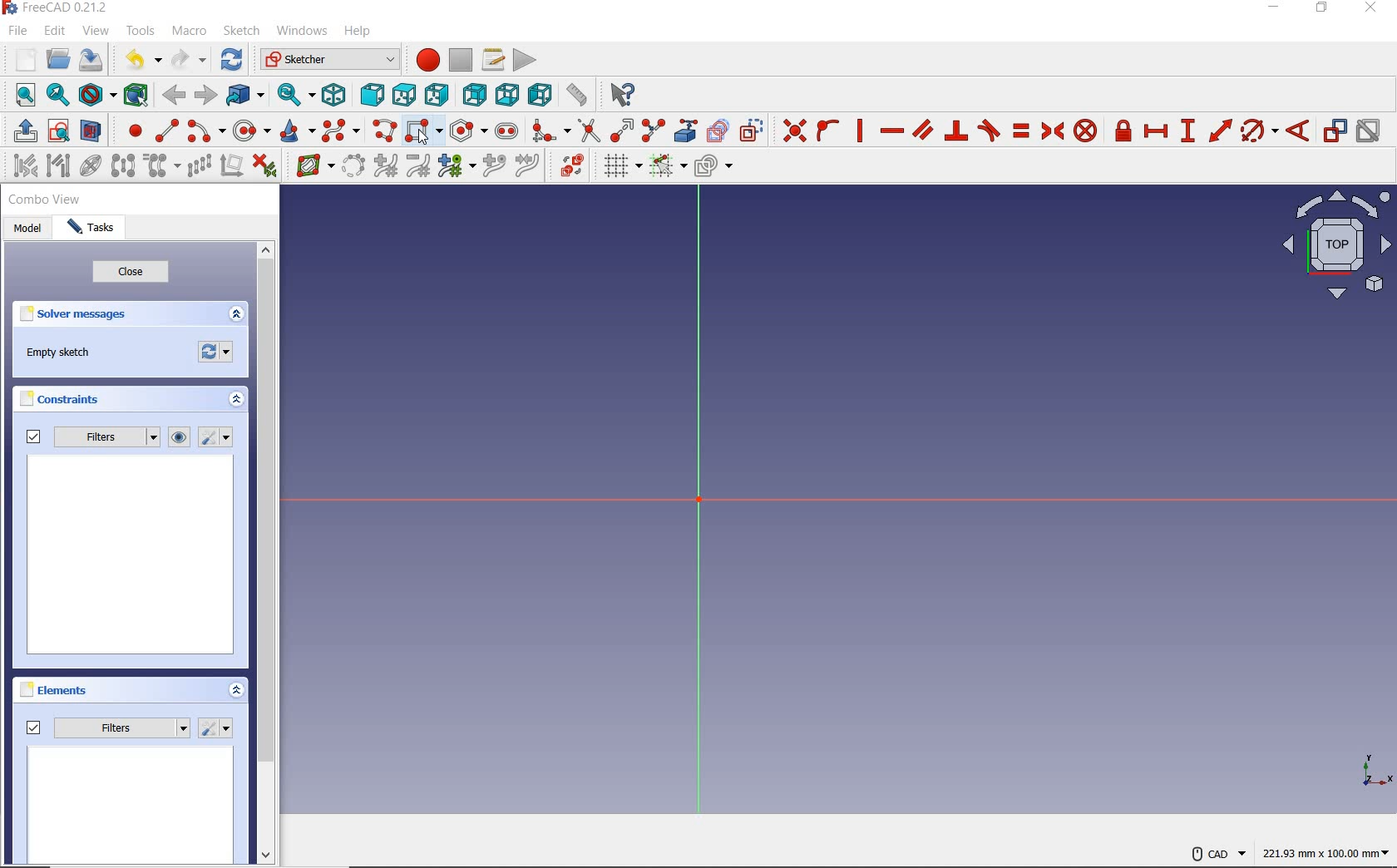 Image resolution: width=1397 pixels, height=868 pixels. Describe the element at coordinates (426, 60) in the screenshot. I see `macro recording` at that location.